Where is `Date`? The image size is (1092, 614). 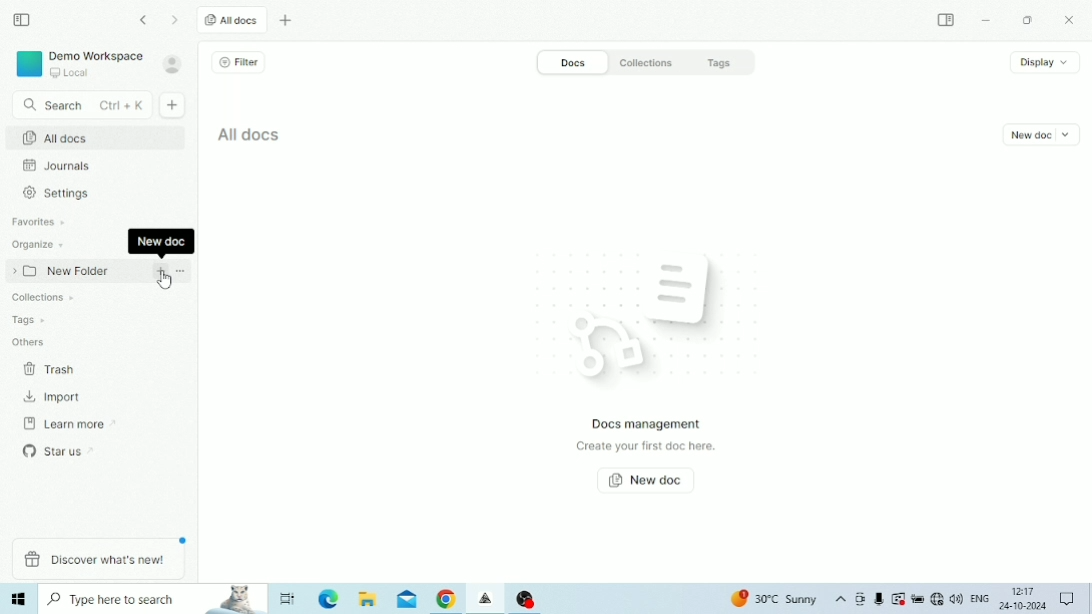 Date is located at coordinates (1022, 606).